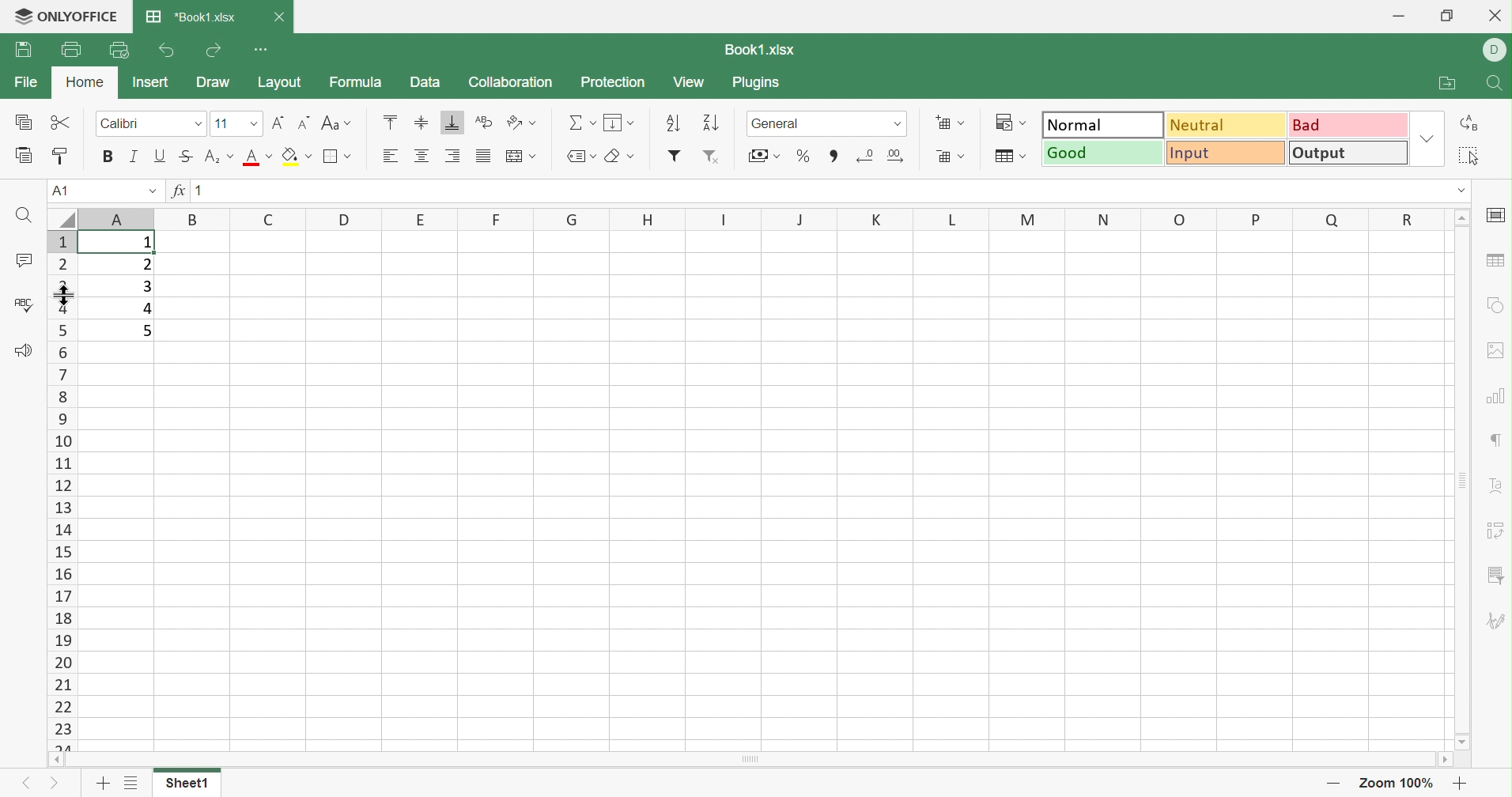  I want to click on Align Middle, so click(421, 122).